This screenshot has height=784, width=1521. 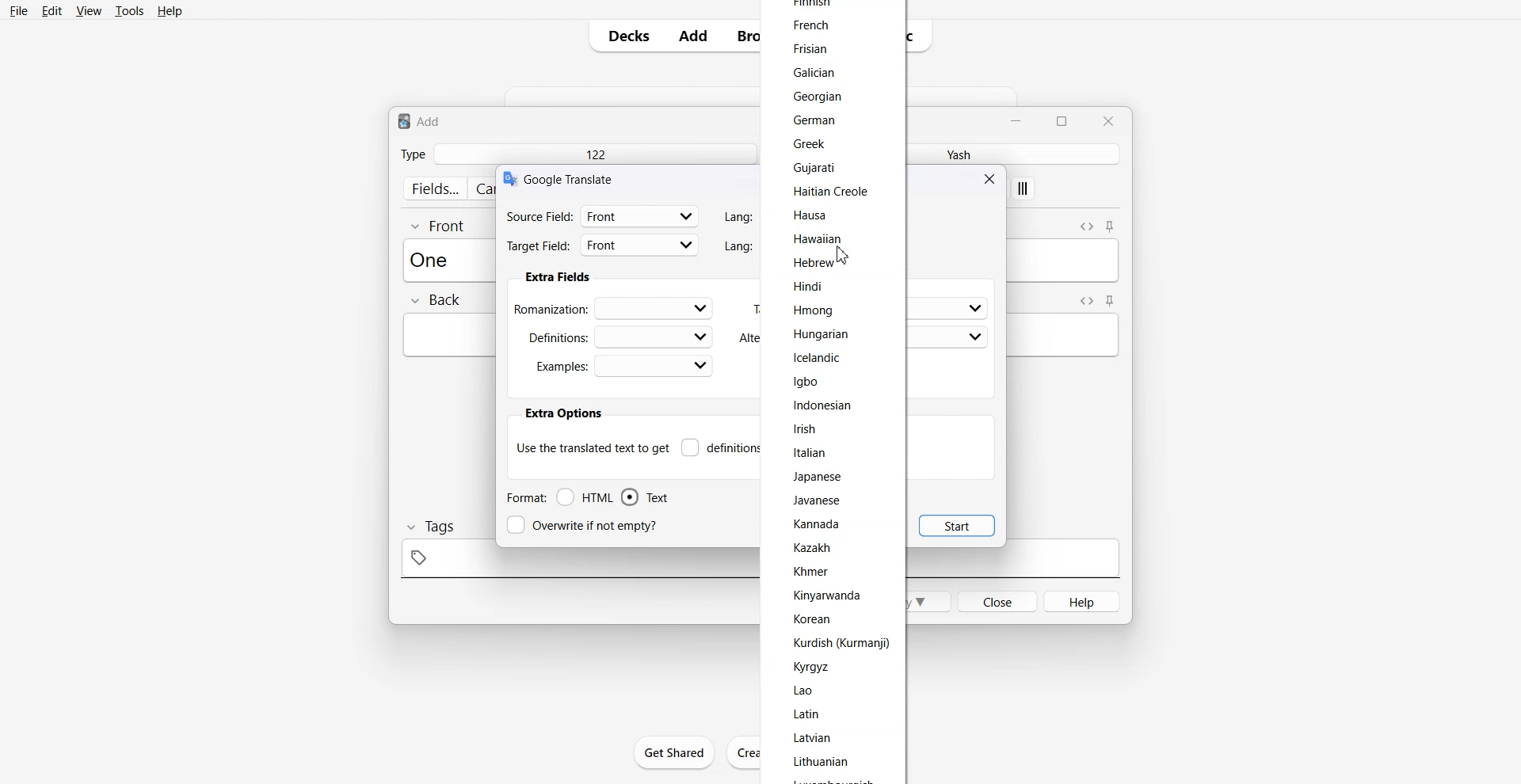 What do you see at coordinates (997, 600) in the screenshot?
I see `Close` at bounding box center [997, 600].